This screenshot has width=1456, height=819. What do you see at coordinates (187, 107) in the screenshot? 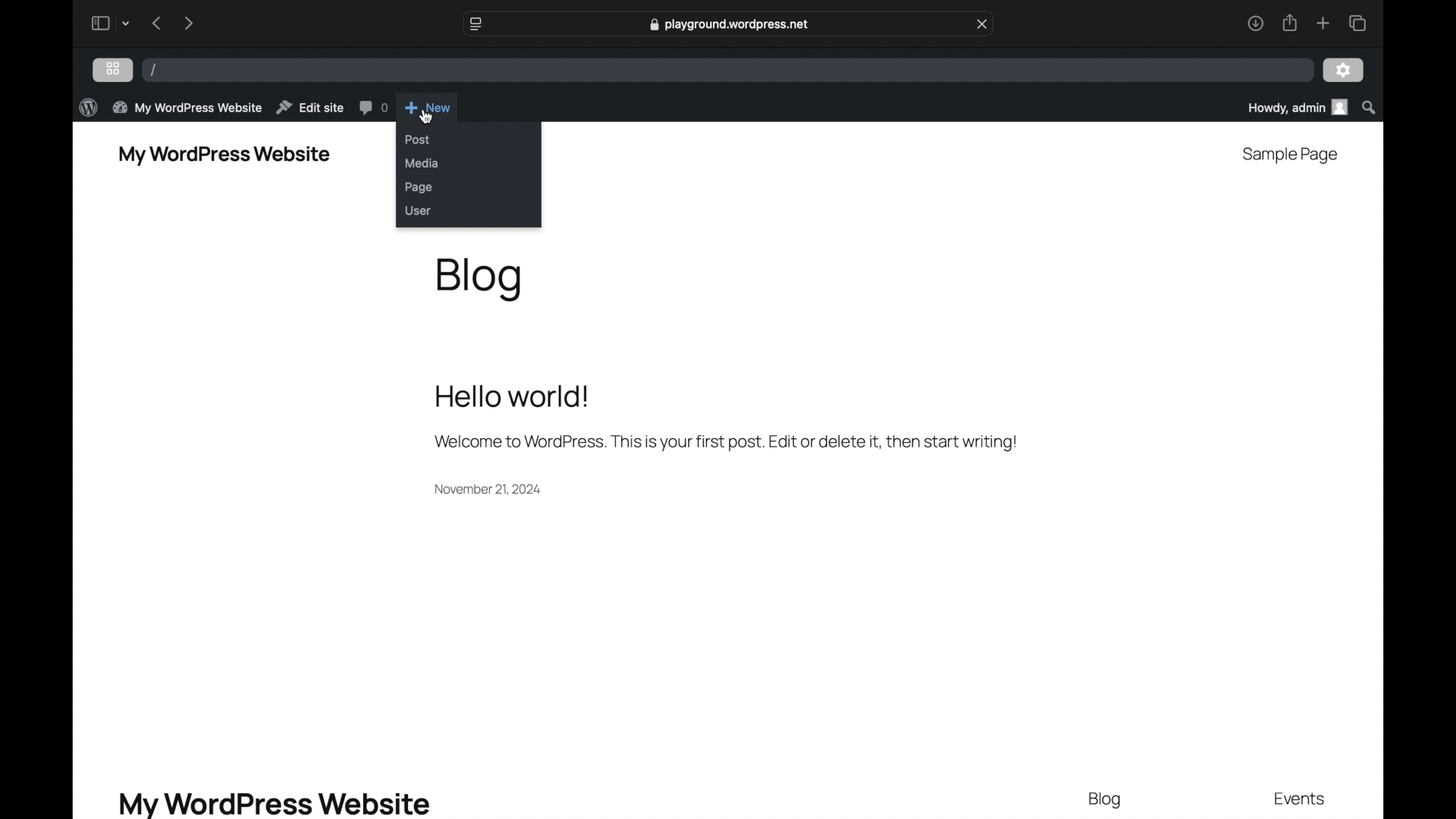
I see `my wordpress website` at bounding box center [187, 107].